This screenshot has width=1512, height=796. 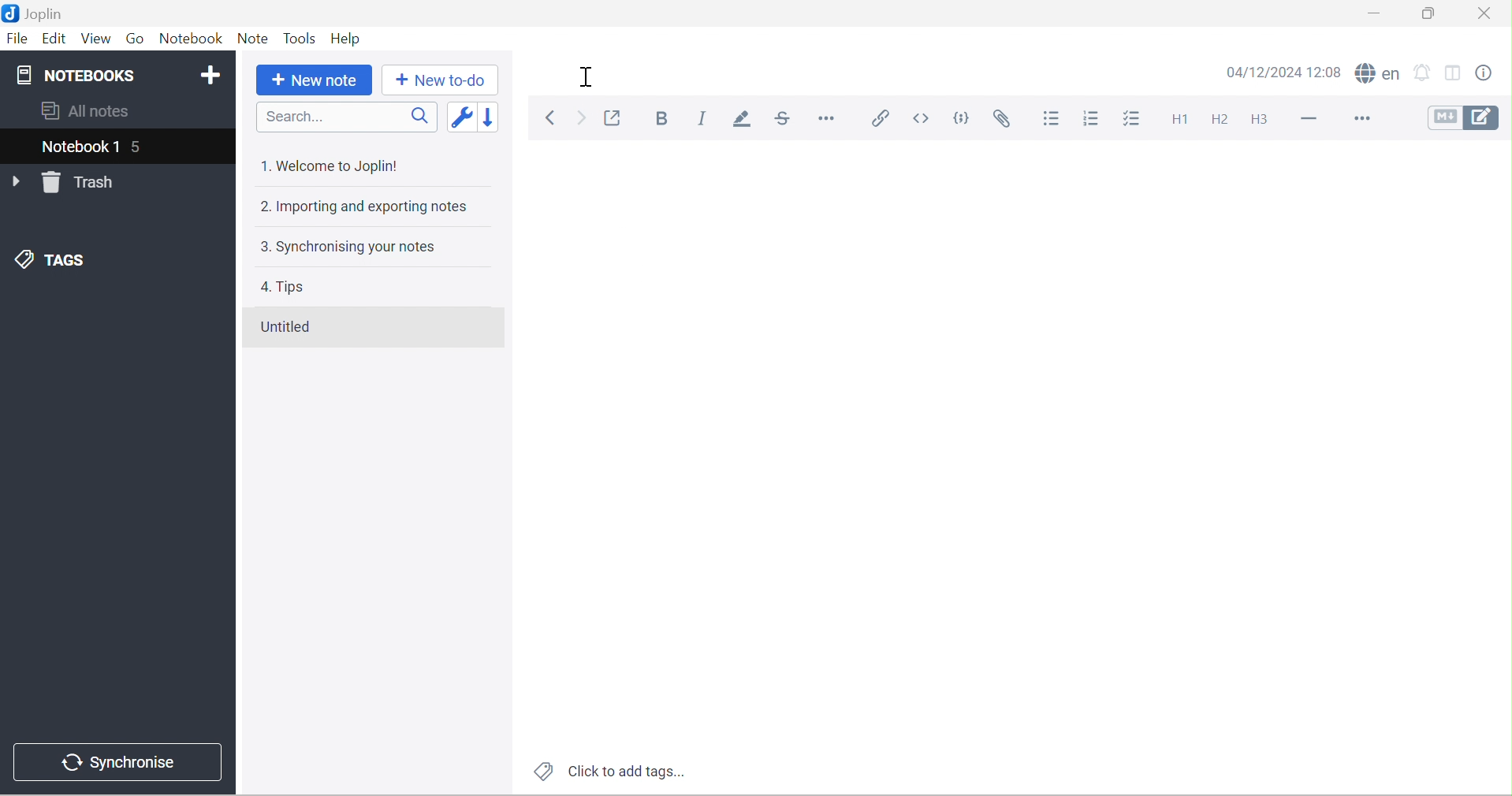 I want to click on File, so click(x=18, y=39).